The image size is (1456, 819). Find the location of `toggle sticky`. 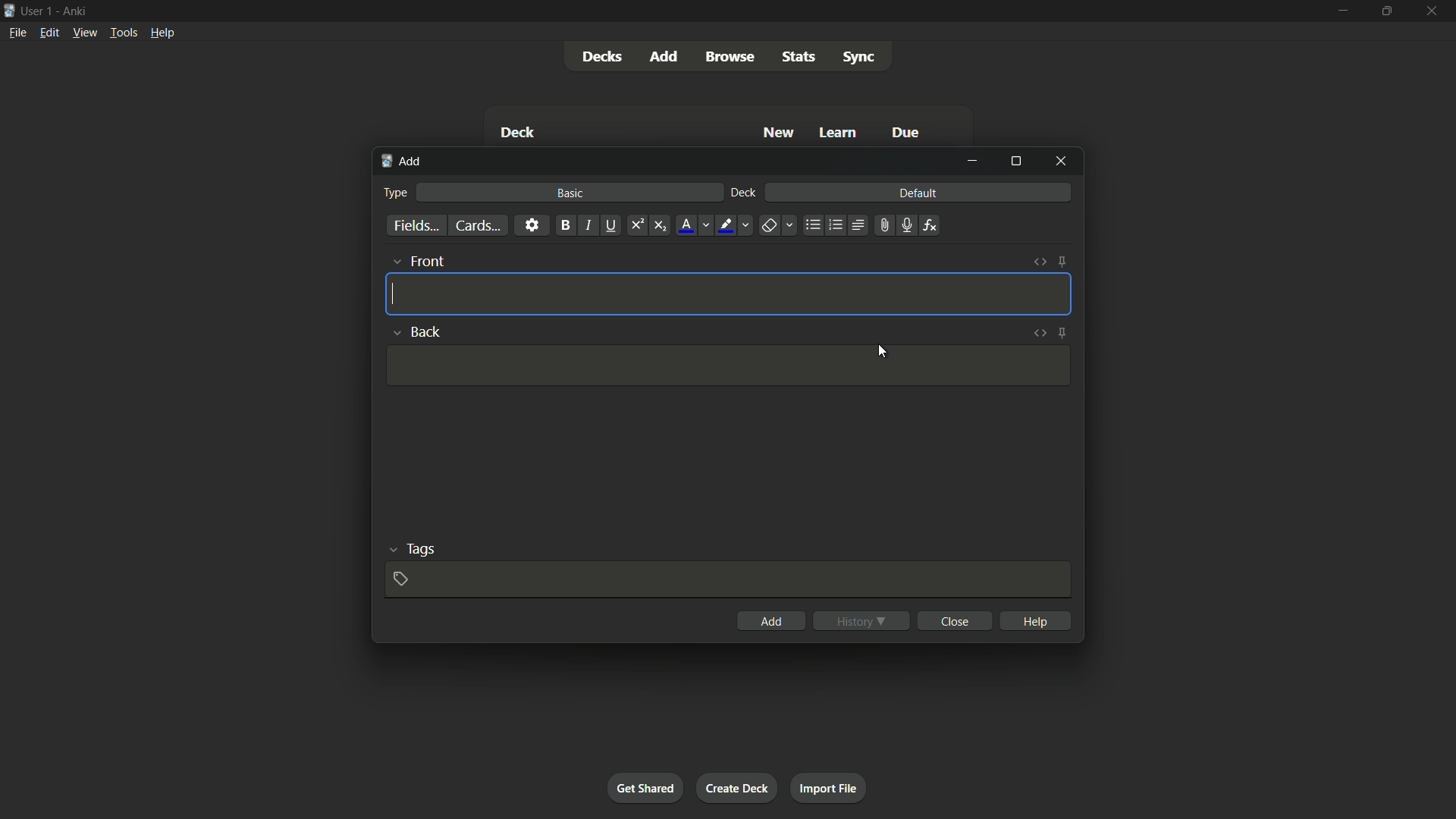

toggle sticky is located at coordinates (1061, 334).